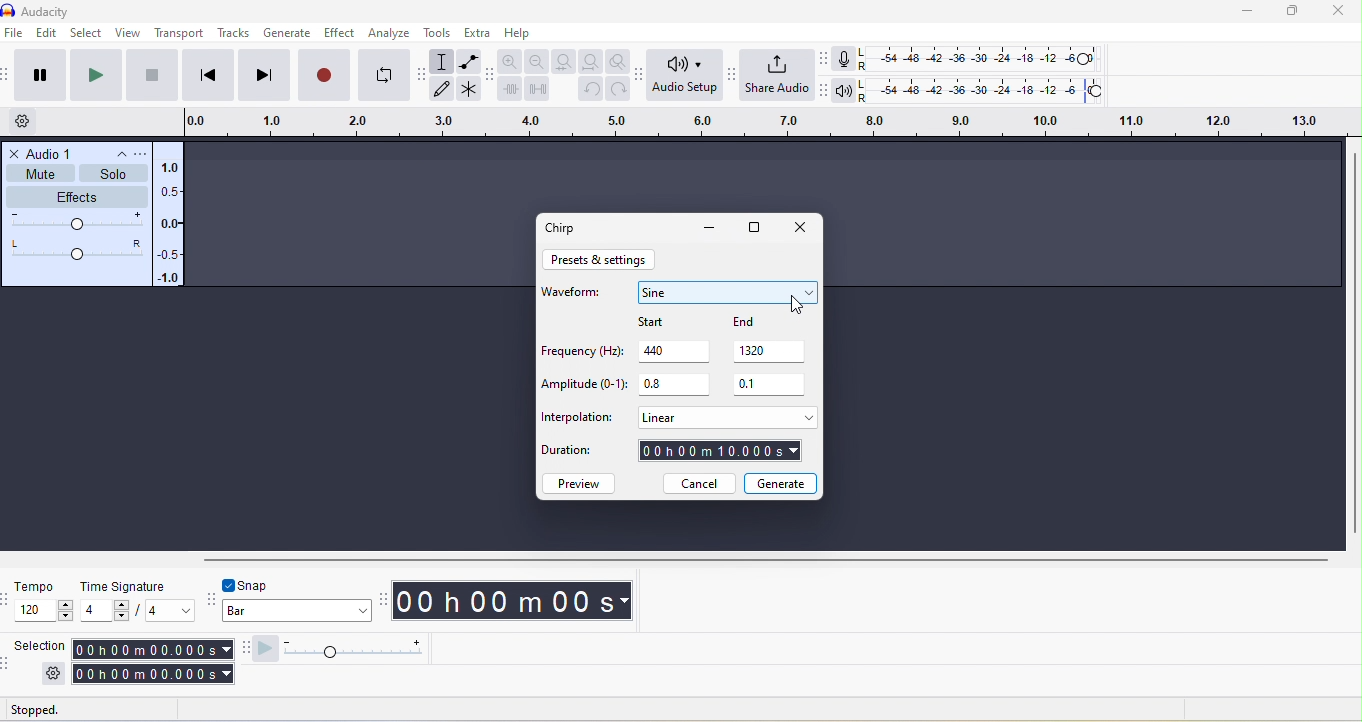 This screenshot has height=722, width=1362. Describe the element at coordinates (757, 229) in the screenshot. I see `maximize` at that location.